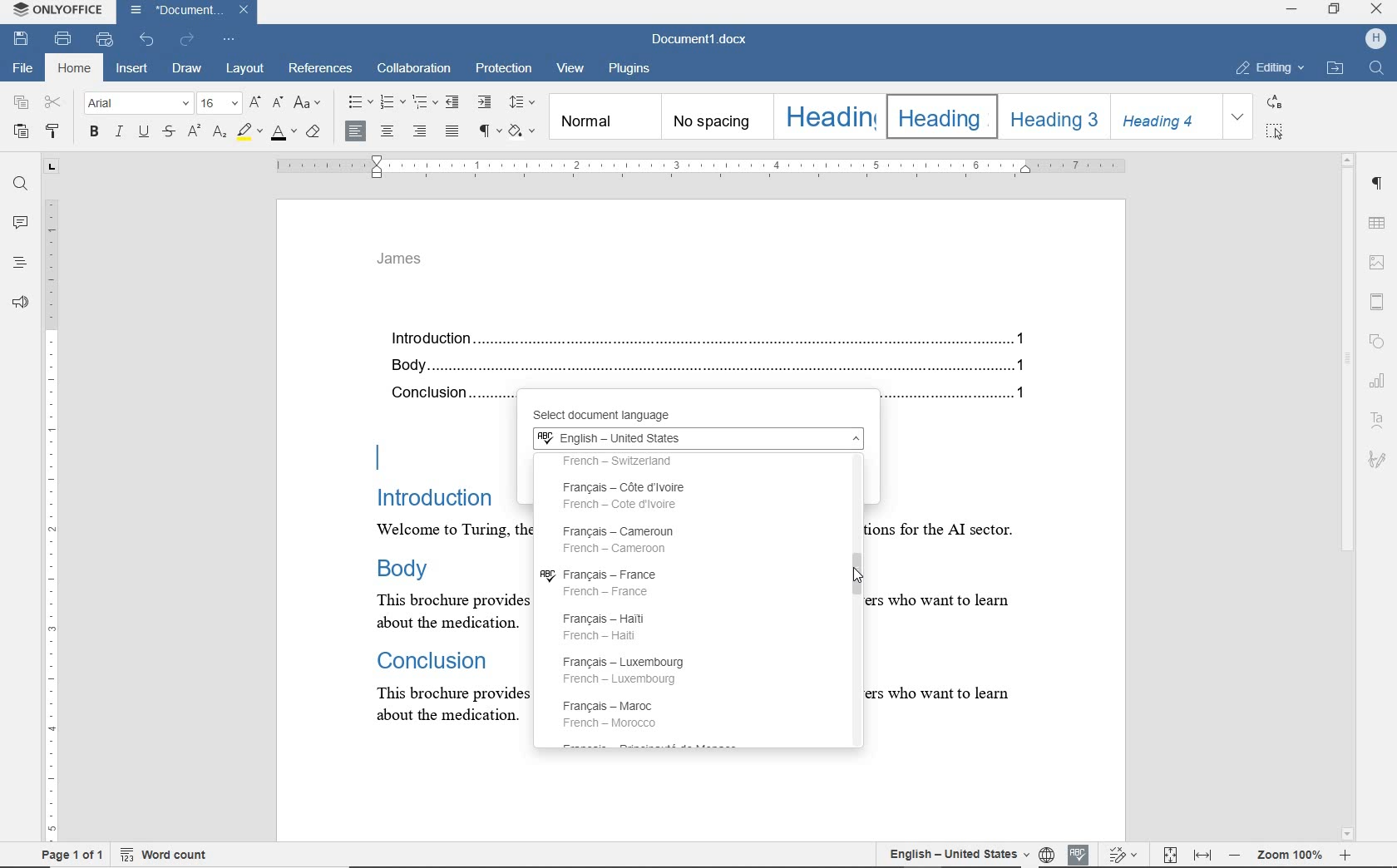 This screenshot has height=868, width=1397. Describe the element at coordinates (19, 131) in the screenshot. I see `paste` at that location.